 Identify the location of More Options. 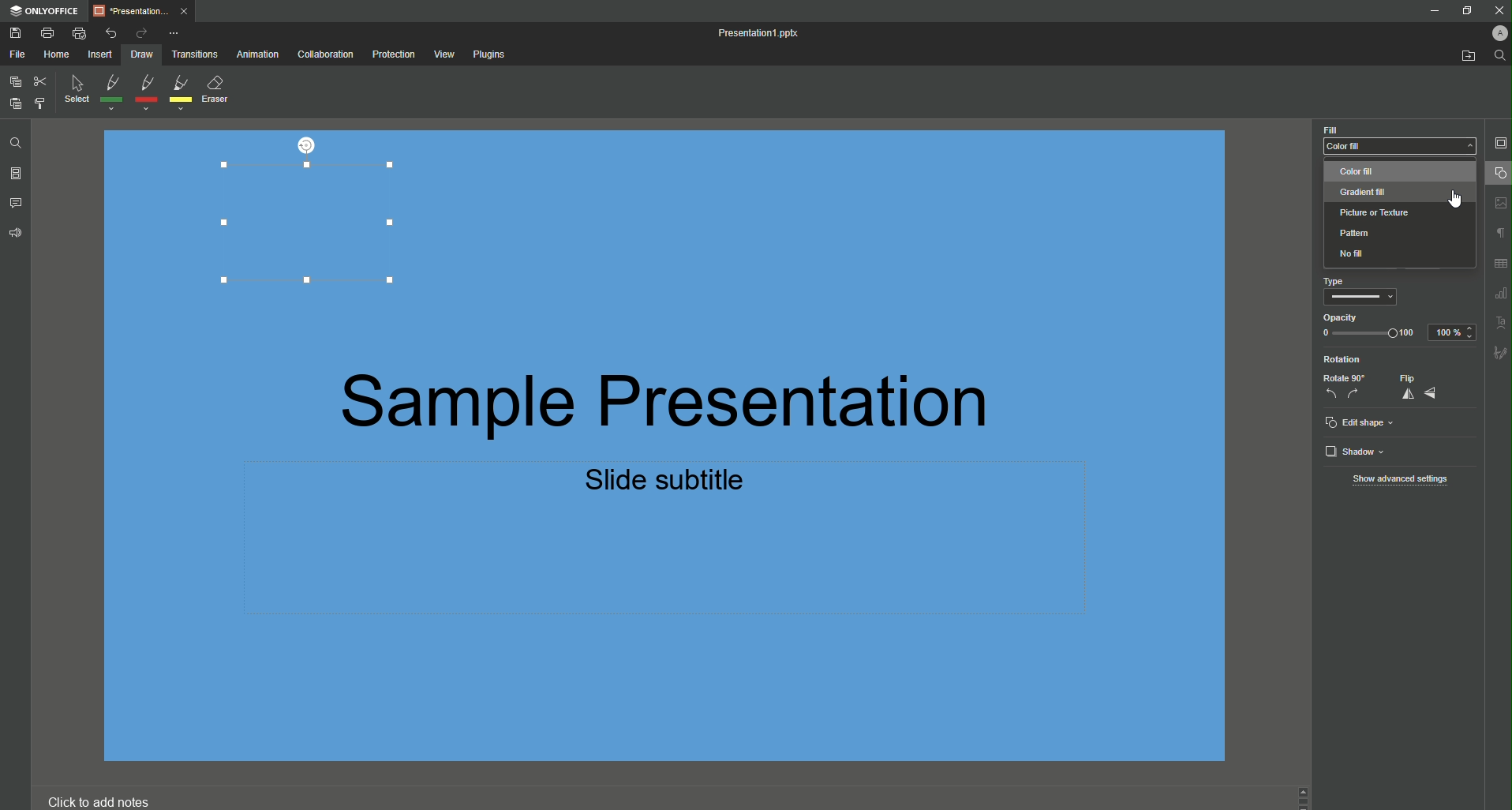
(177, 32).